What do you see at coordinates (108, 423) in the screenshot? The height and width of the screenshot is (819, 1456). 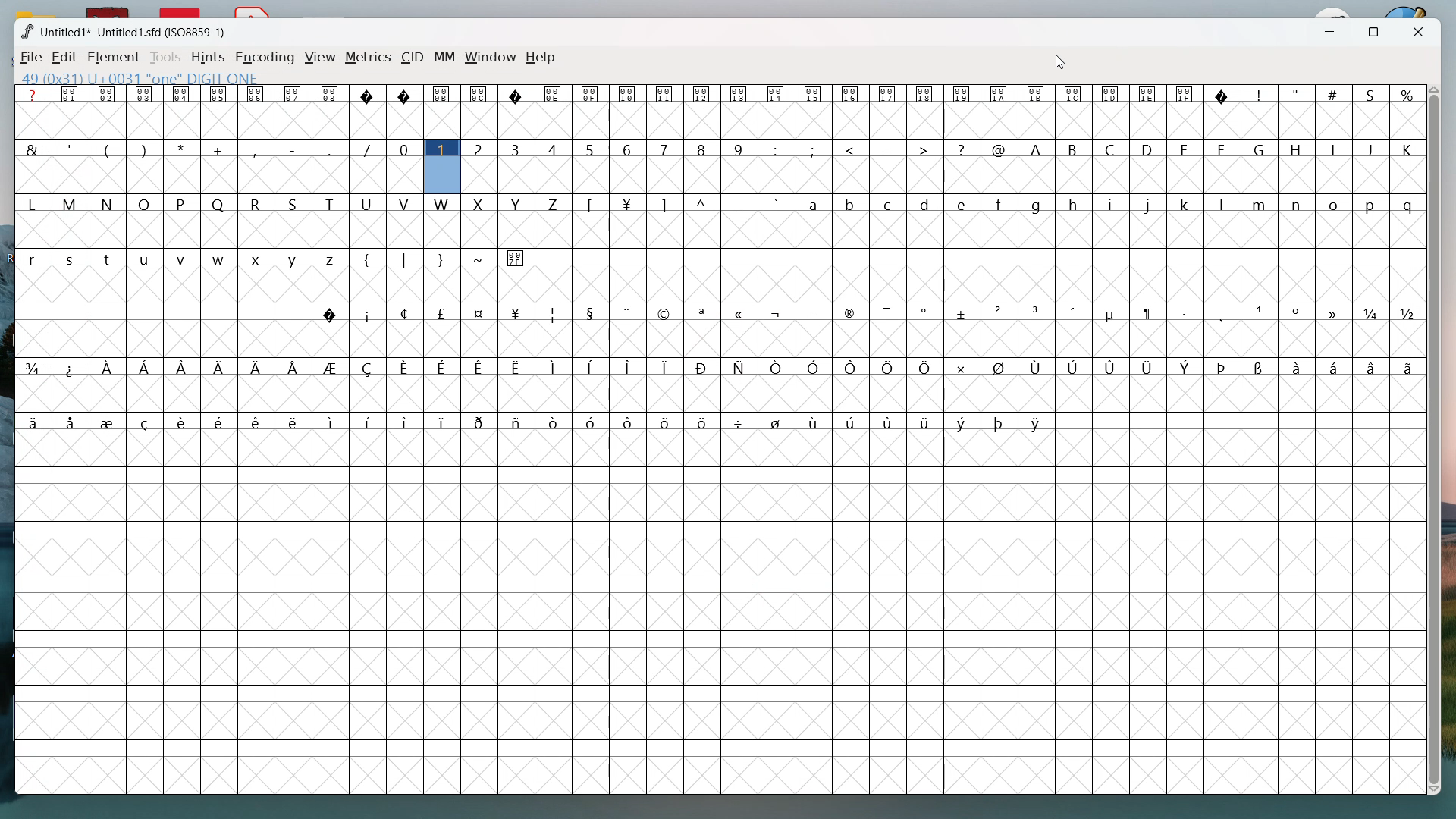 I see `symbol` at bounding box center [108, 423].